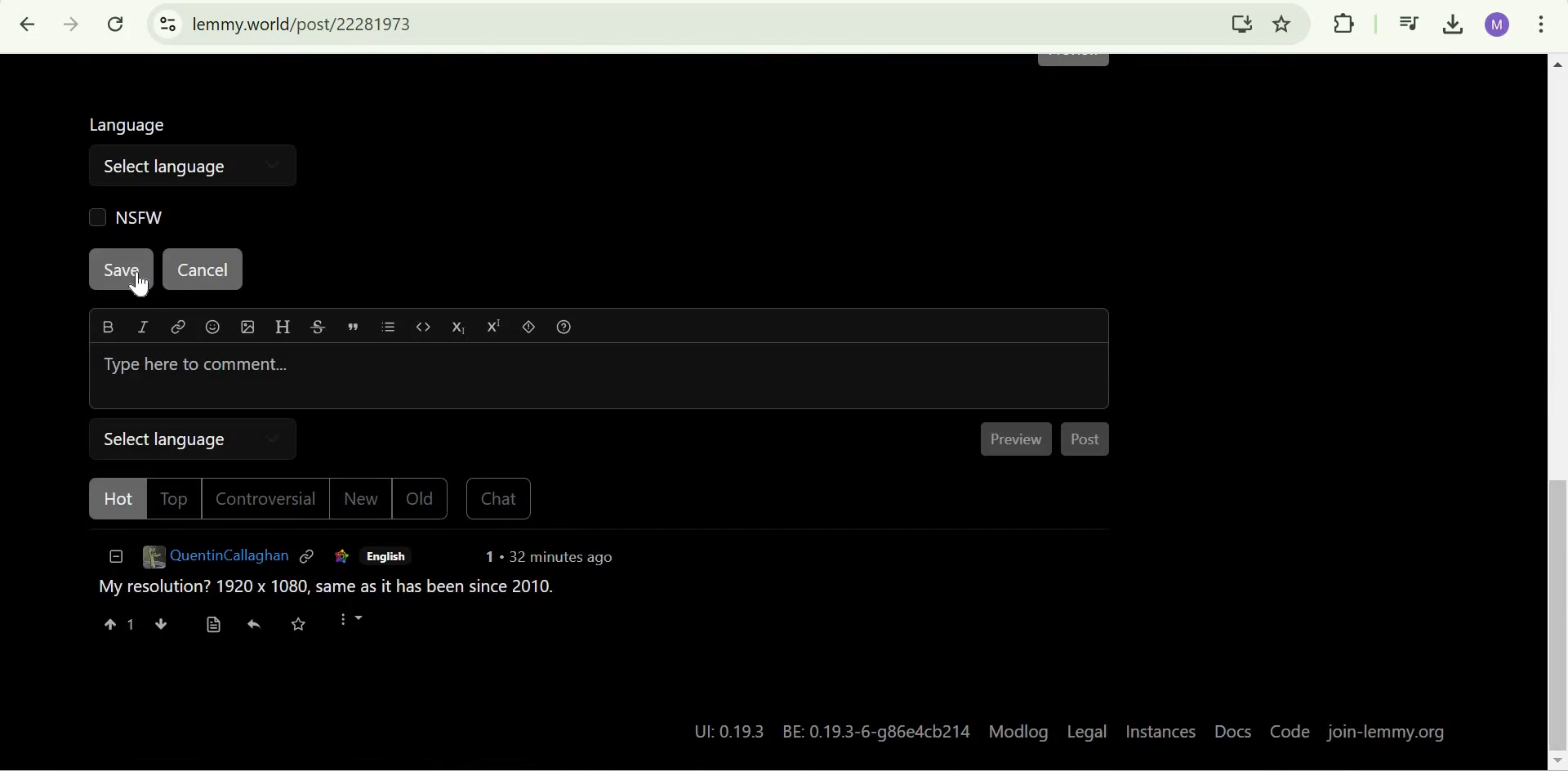 The height and width of the screenshot is (771, 1568). What do you see at coordinates (1410, 25) in the screenshot?
I see `Control your music, videos, and more` at bounding box center [1410, 25].